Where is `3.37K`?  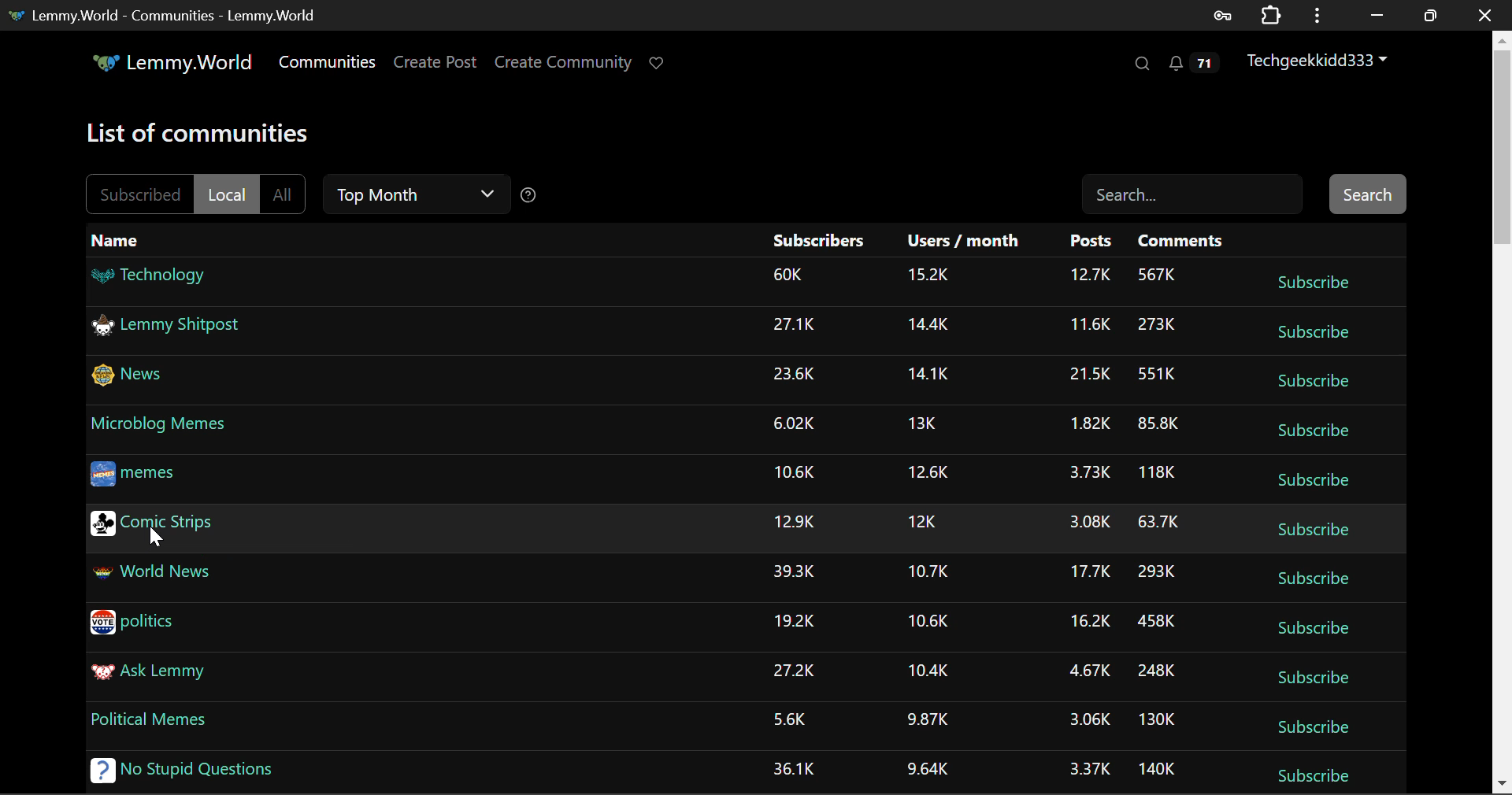
3.37K is located at coordinates (1093, 767).